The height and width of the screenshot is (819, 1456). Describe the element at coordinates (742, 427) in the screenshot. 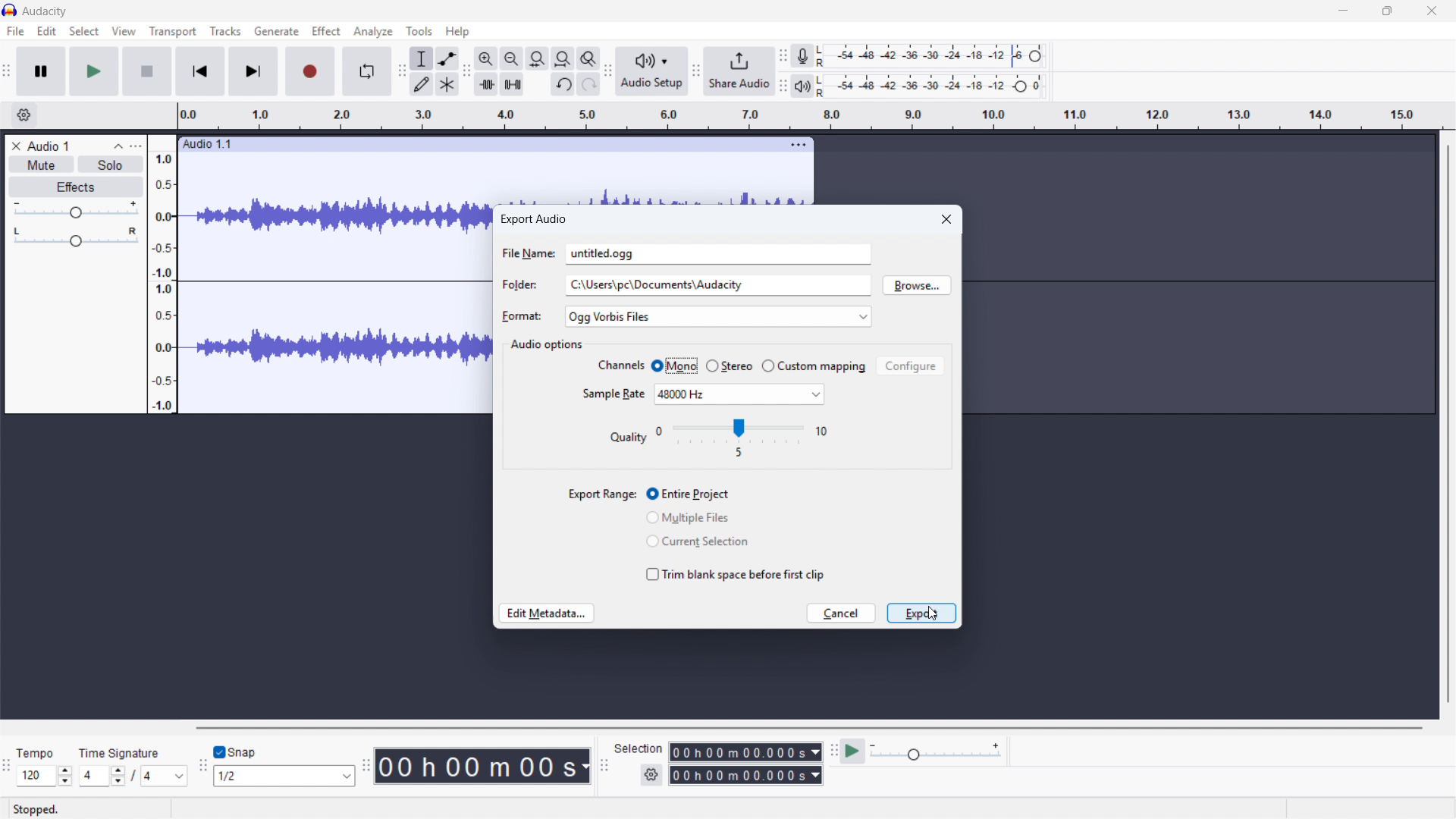

I see `Set encoding ` at that location.